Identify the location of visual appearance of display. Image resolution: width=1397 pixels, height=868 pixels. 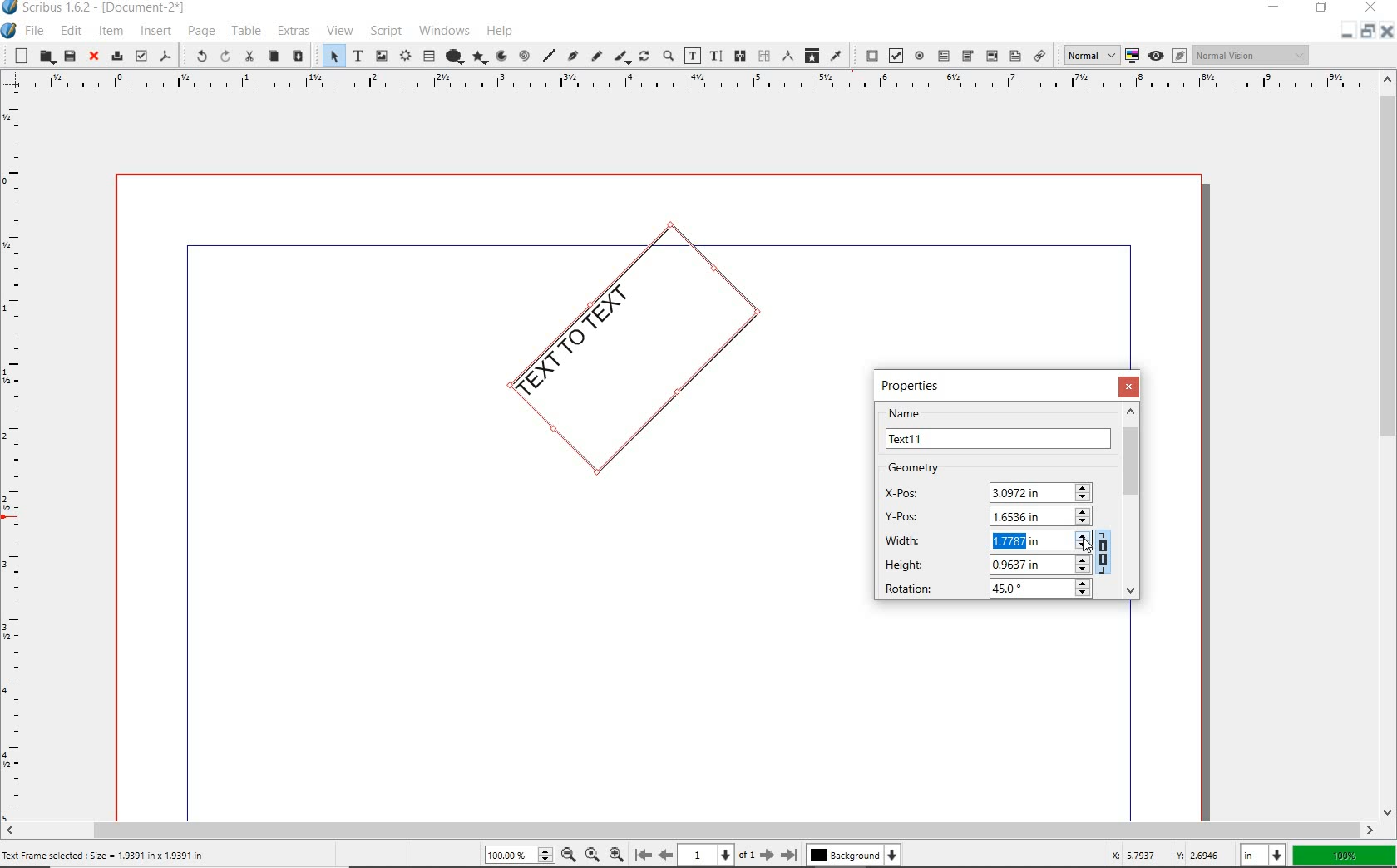
(1251, 55).